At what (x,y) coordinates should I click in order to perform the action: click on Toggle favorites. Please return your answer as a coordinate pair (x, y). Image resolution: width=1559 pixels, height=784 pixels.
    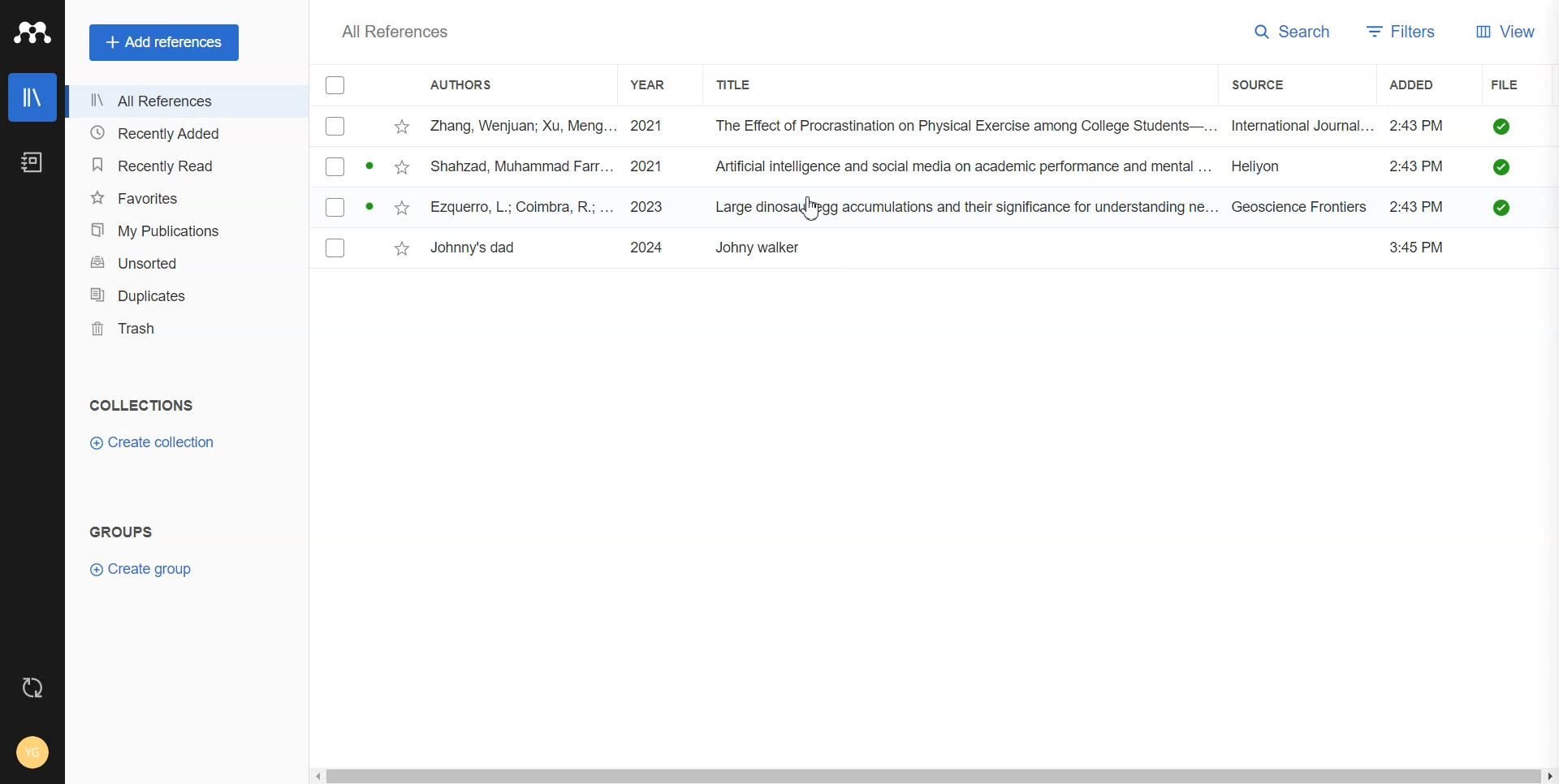
    Looking at the image, I should click on (403, 166).